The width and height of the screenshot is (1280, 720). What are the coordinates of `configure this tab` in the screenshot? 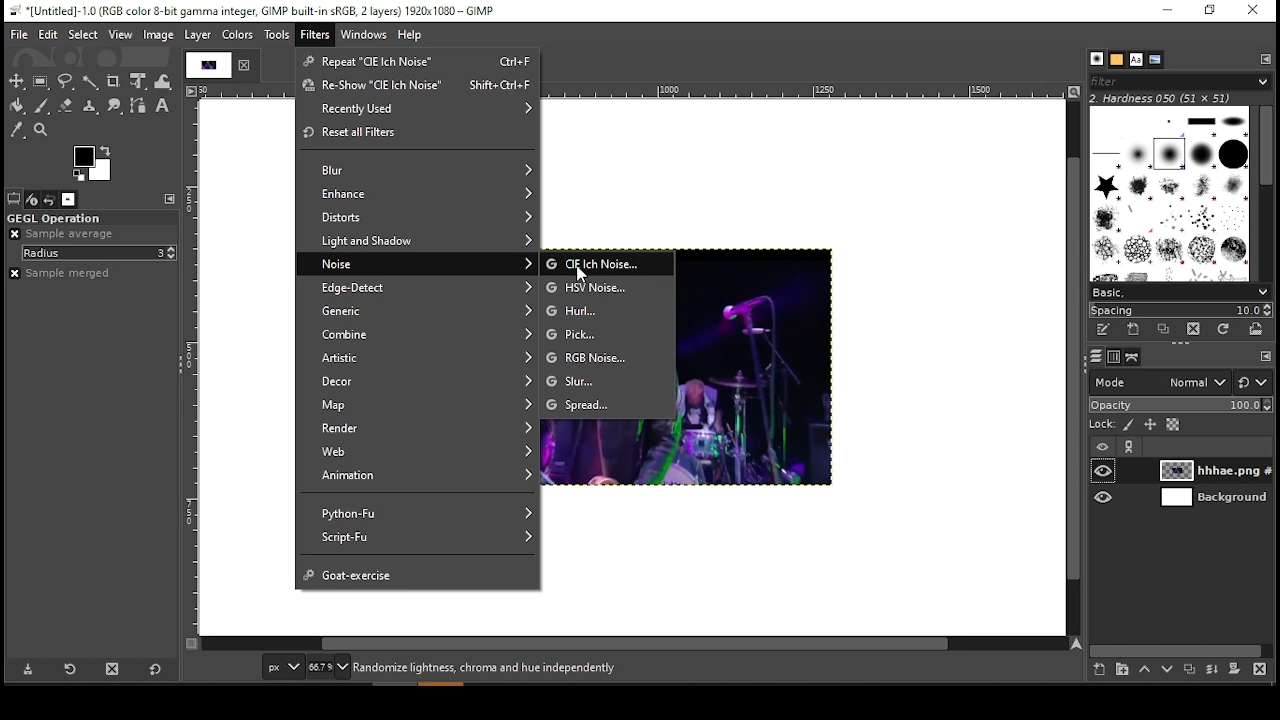 It's located at (1266, 61).